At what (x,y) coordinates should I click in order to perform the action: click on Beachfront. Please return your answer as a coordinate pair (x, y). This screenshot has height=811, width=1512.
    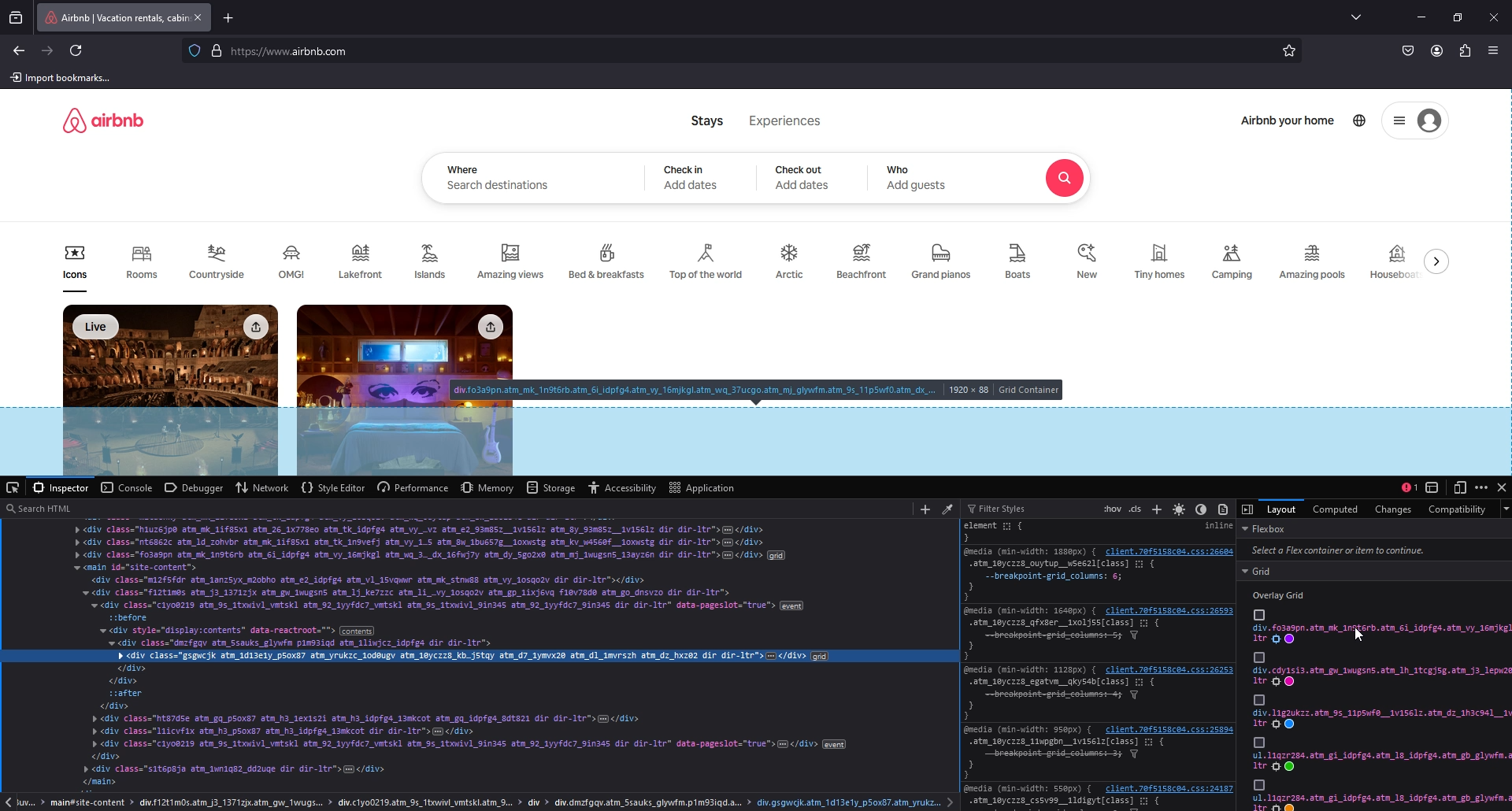
    Looking at the image, I should click on (862, 263).